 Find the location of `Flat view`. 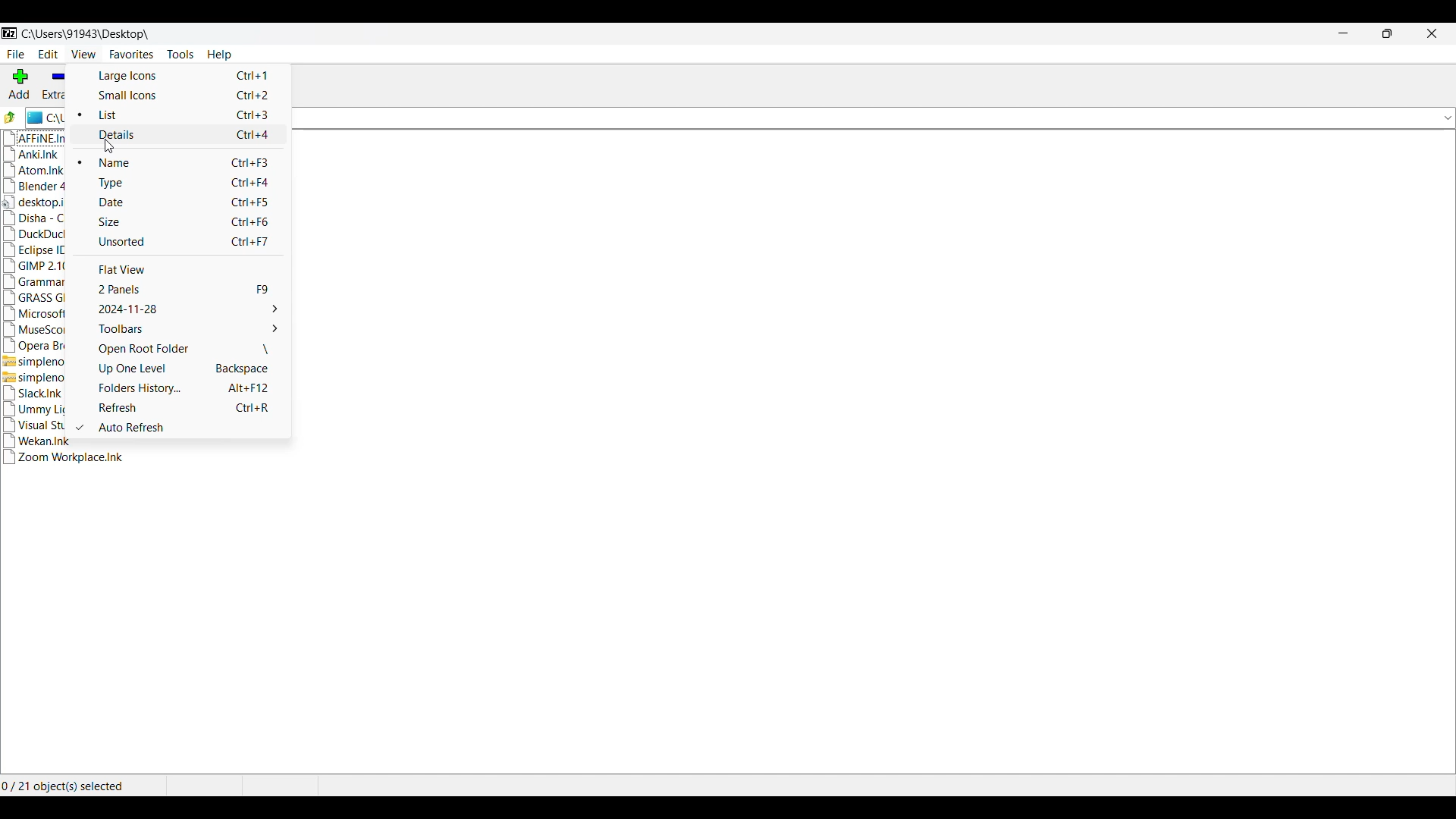

Flat view is located at coordinates (189, 269).